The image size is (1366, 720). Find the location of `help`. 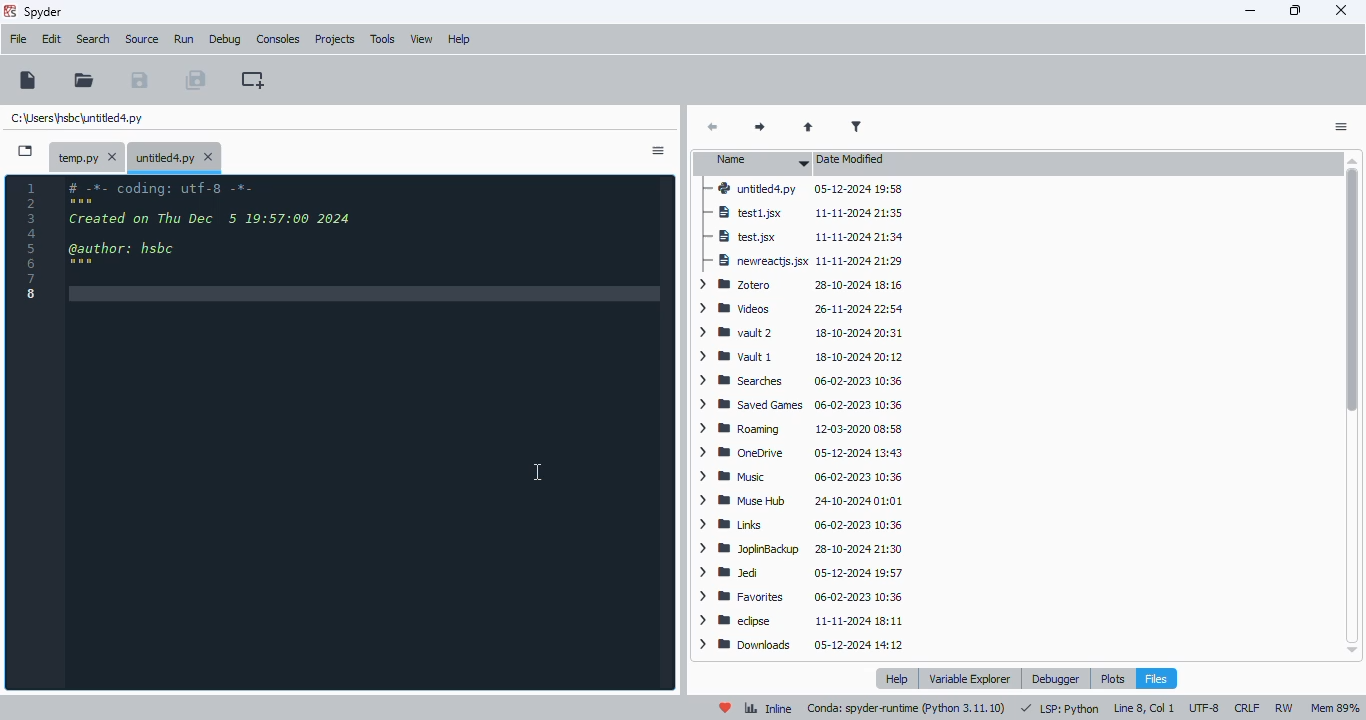

help is located at coordinates (460, 40).